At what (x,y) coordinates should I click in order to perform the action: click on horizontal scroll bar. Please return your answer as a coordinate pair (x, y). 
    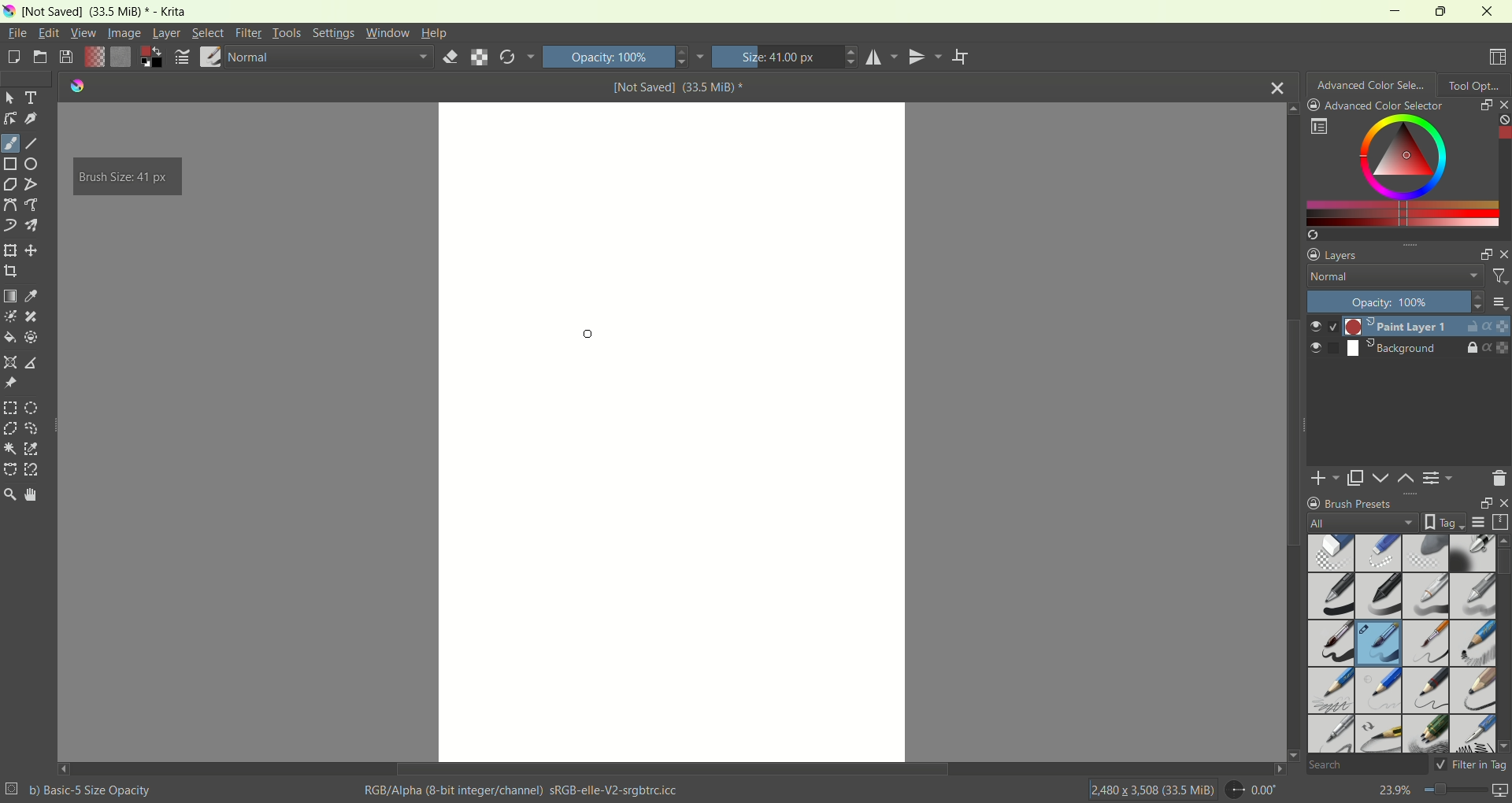
    Looking at the image, I should click on (672, 769).